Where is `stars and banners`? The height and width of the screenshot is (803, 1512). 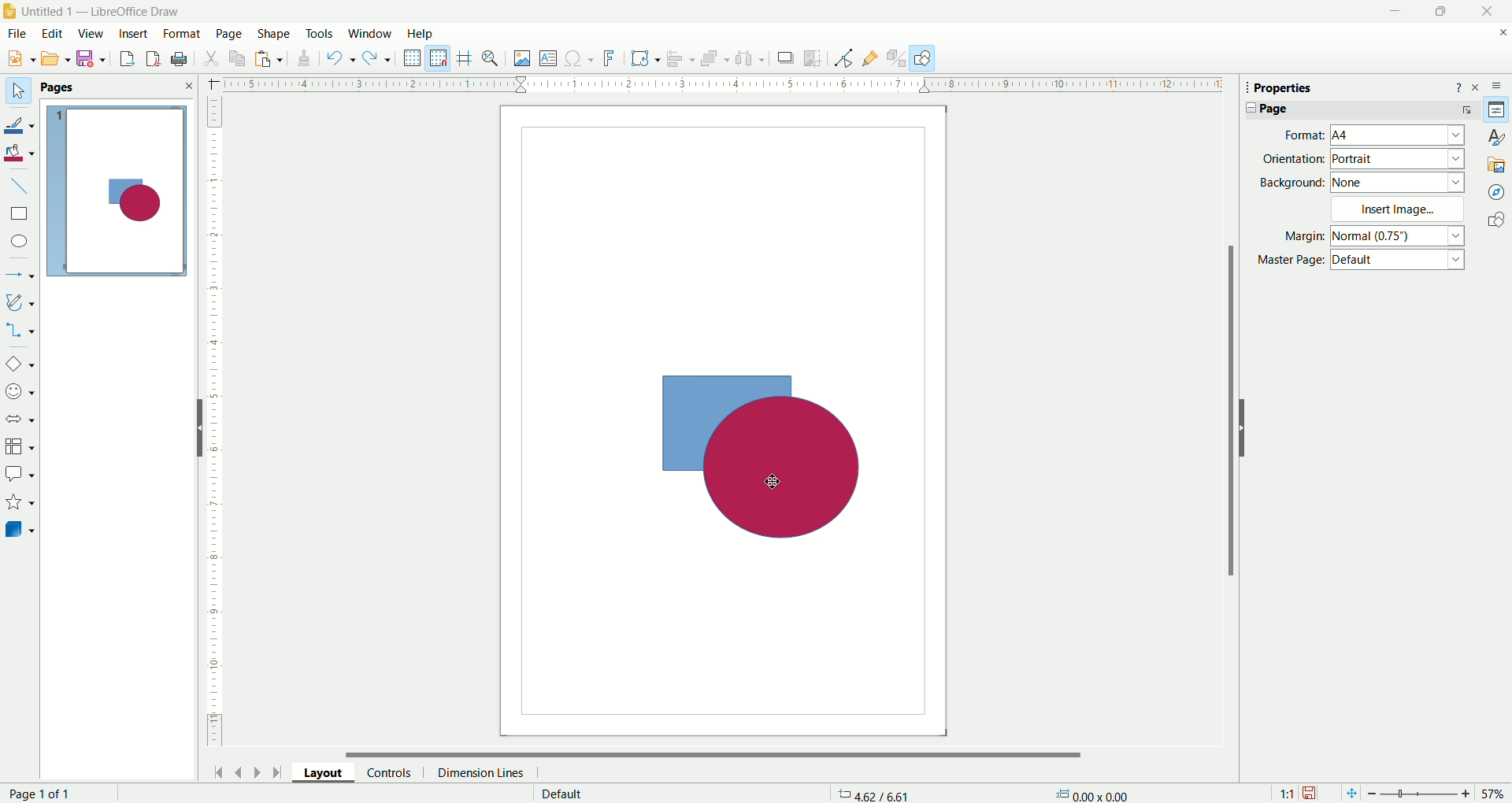 stars and banners is located at coordinates (20, 502).